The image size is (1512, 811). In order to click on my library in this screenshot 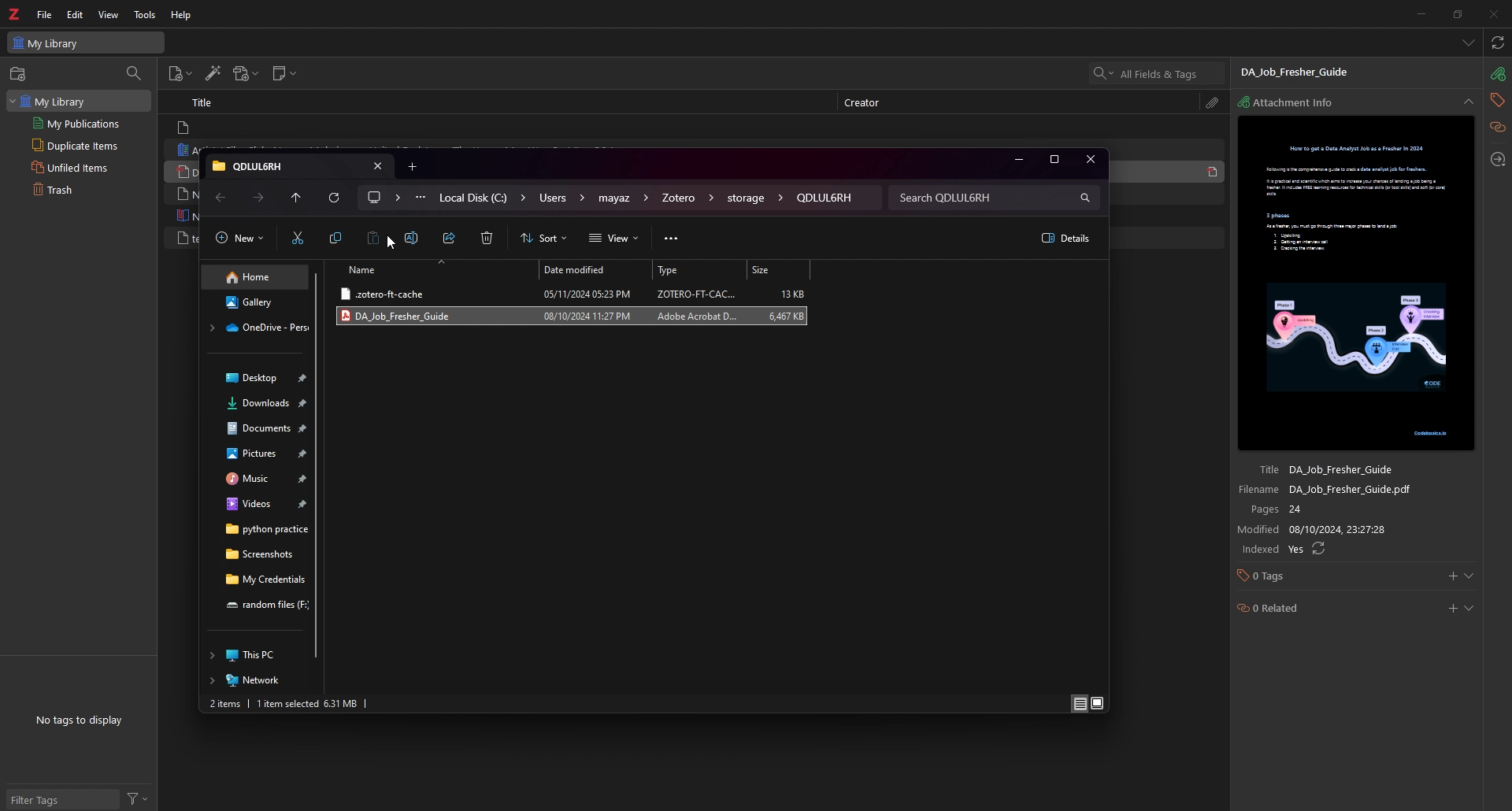, I will do `click(80, 101)`.